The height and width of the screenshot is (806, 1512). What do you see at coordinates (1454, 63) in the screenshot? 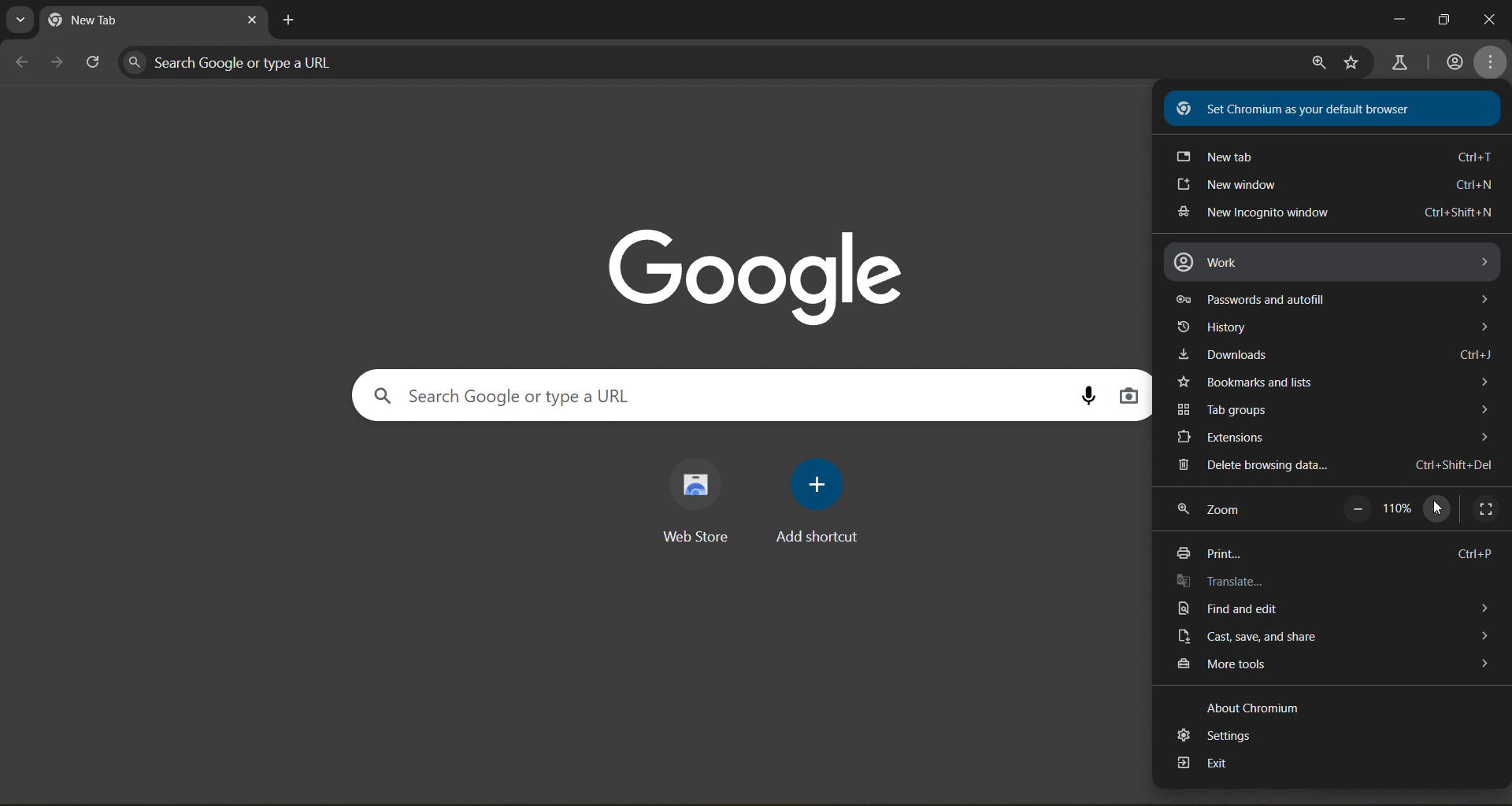
I see `account` at bounding box center [1454, 63].